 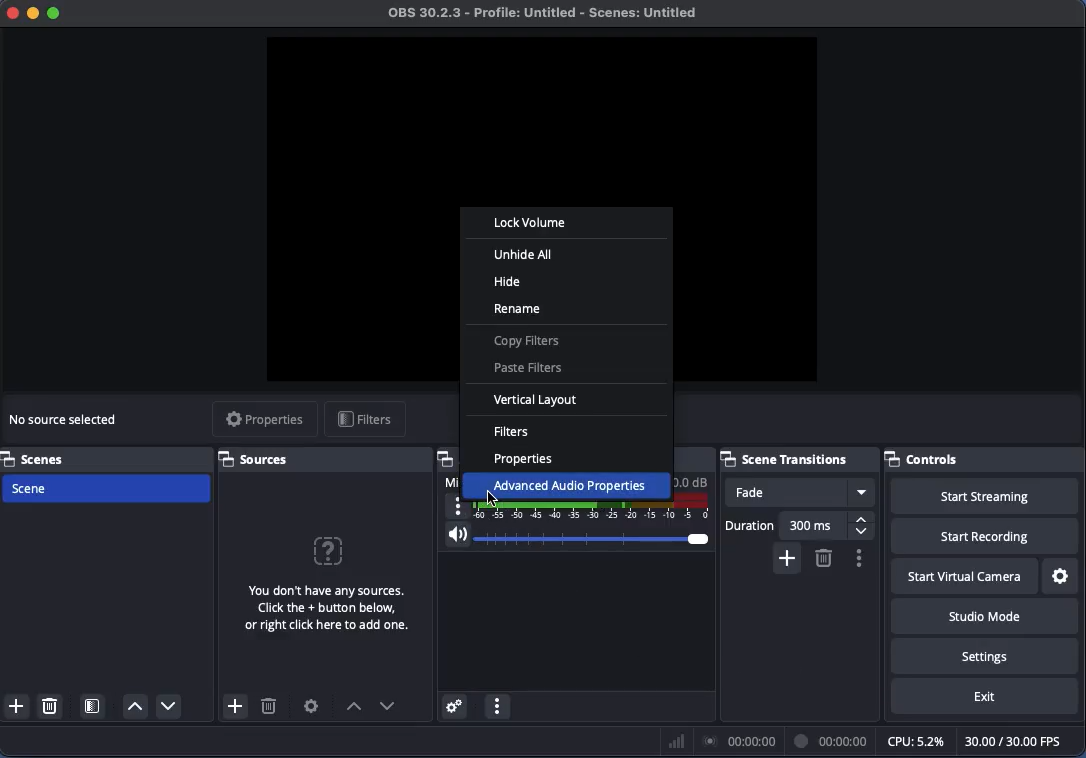 What do you see at coordinates (523, 255) in the screenshot?
I see `Unhide all` at bounding box center [523, 255].